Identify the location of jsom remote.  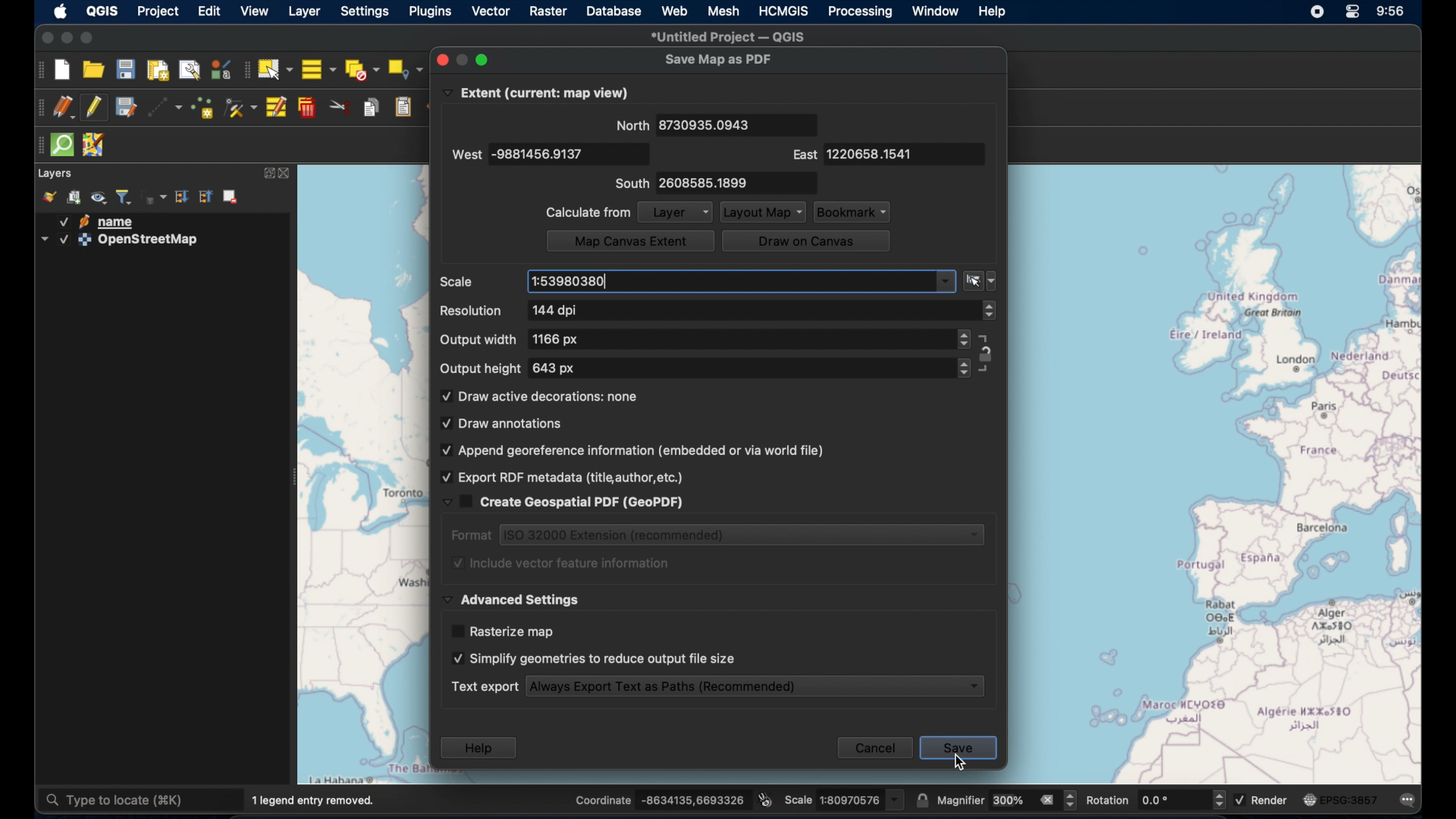
(93, 145).